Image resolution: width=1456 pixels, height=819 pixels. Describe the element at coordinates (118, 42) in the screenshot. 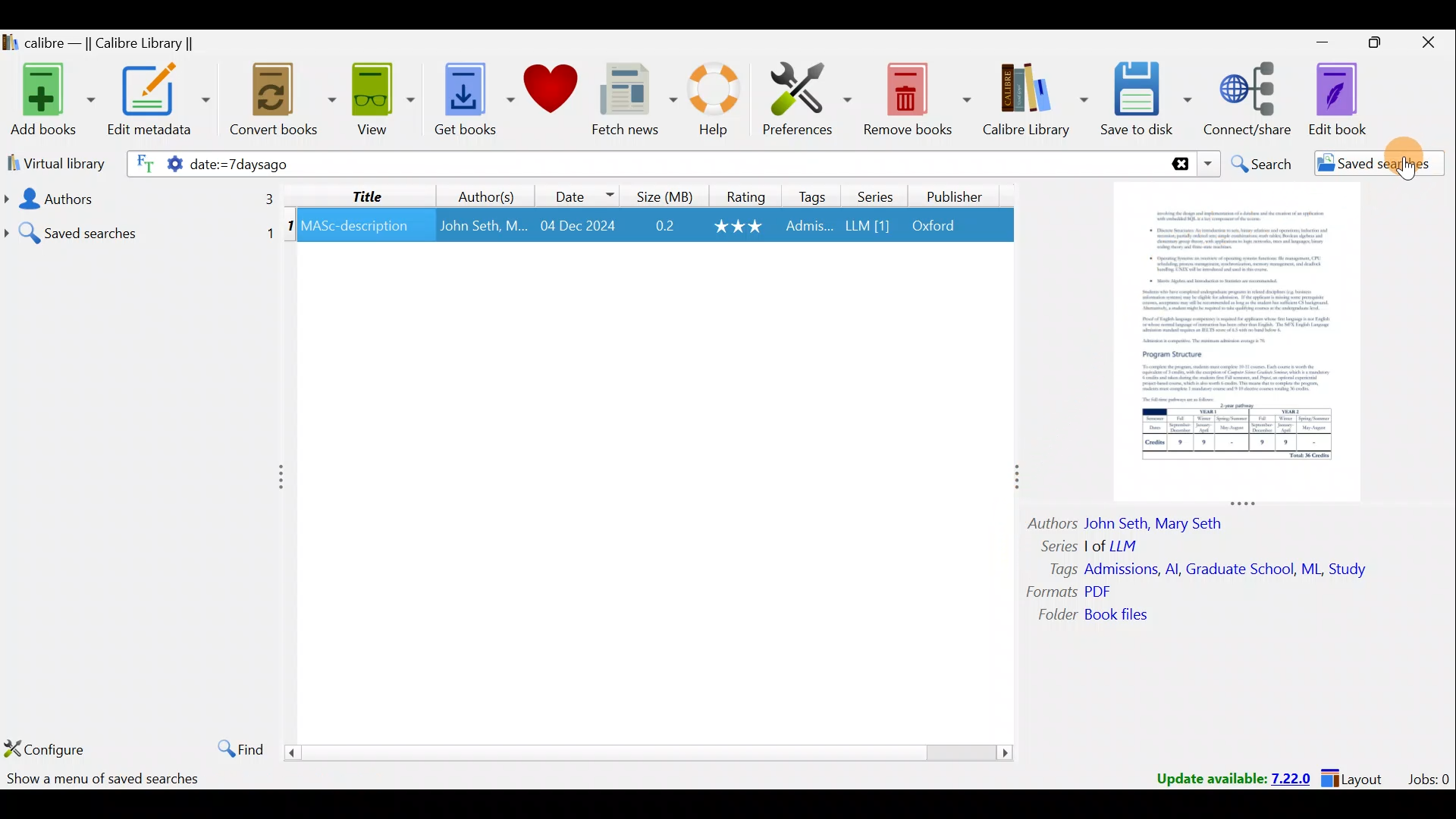

I see `calibre — || Calibre Library ||` at that location.